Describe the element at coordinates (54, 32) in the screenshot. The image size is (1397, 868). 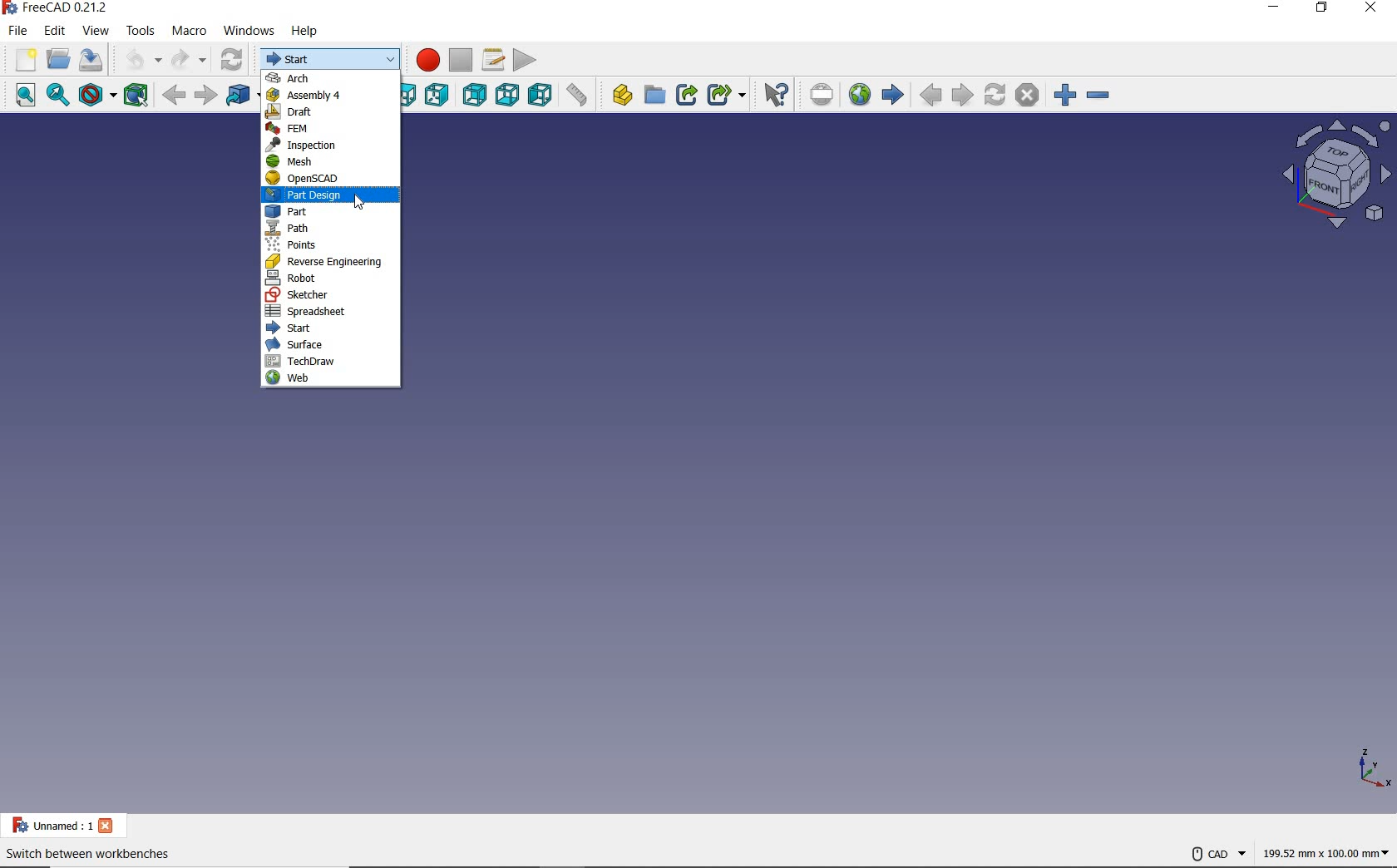
I see `EDIT` at that location.